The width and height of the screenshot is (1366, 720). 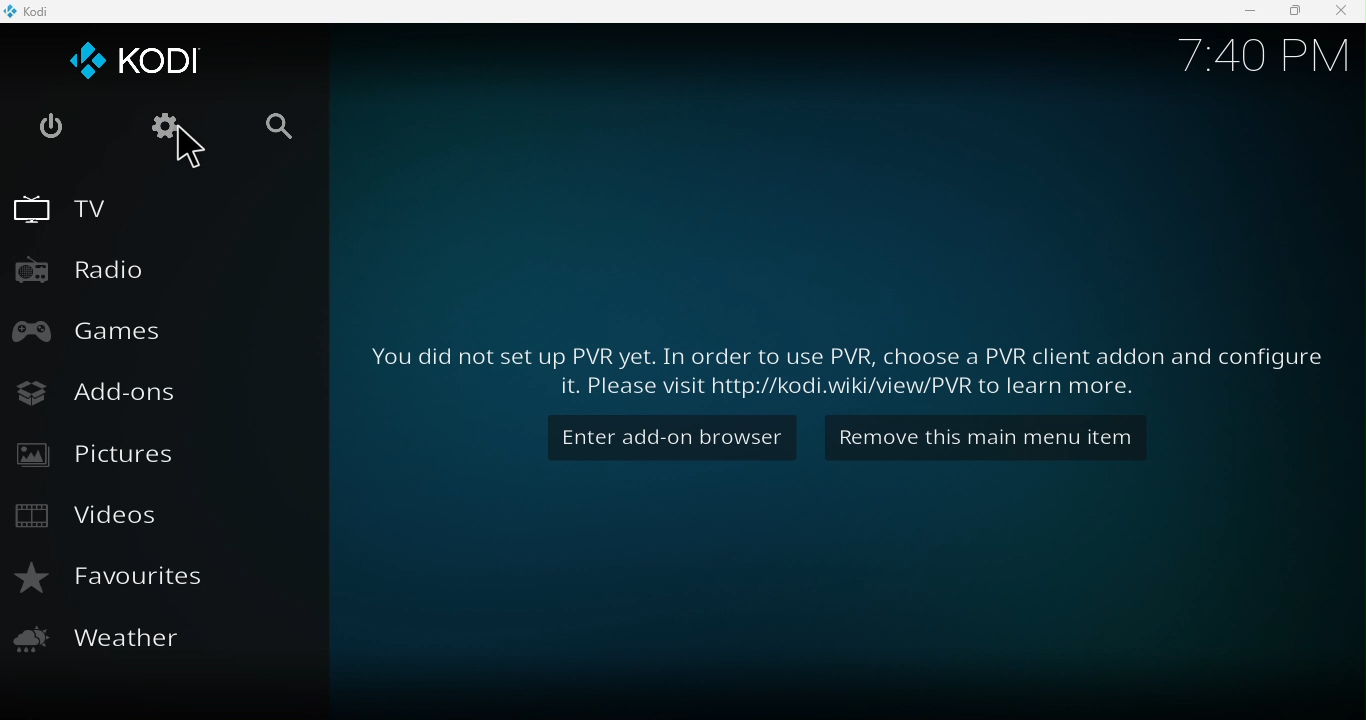 I want to click on Cursor, so click(x=197, y=160).